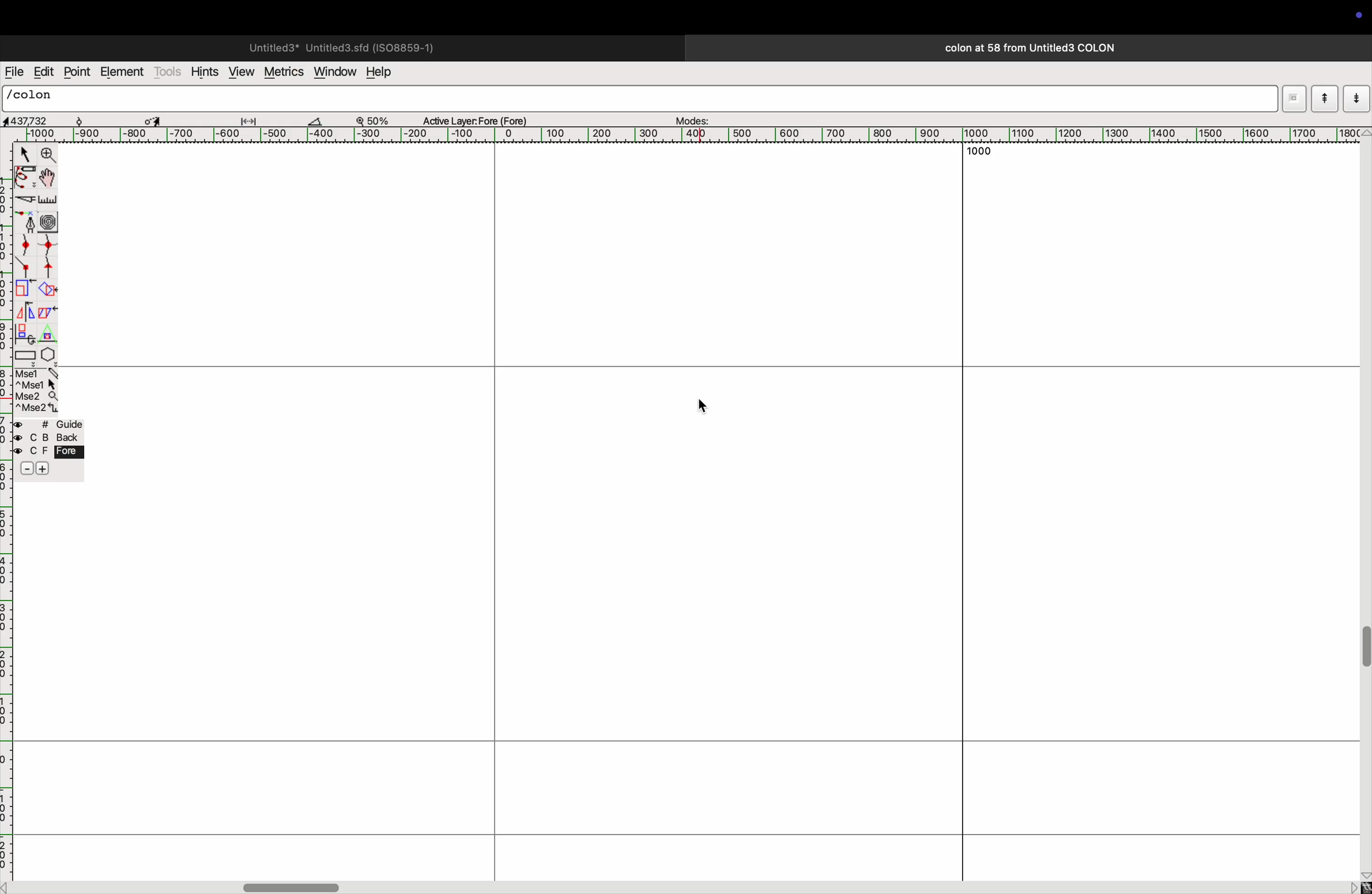 The image size is (1372, 894). Describe the element at coordinates (47, 290) in the screenshot. I see `extract` at that location.